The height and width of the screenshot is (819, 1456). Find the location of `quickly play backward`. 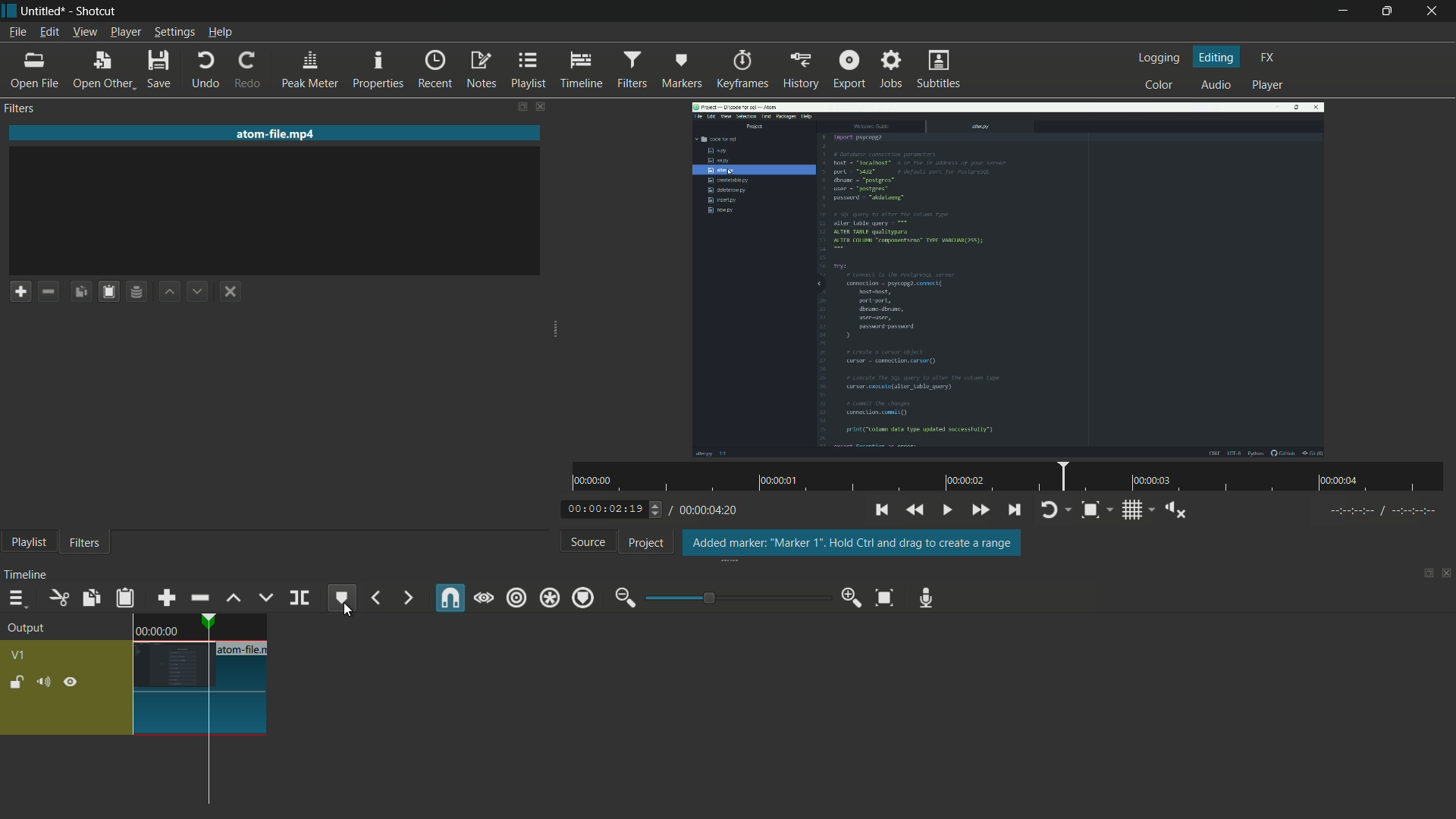

quickly play backward is located at coordinates (915, 510).